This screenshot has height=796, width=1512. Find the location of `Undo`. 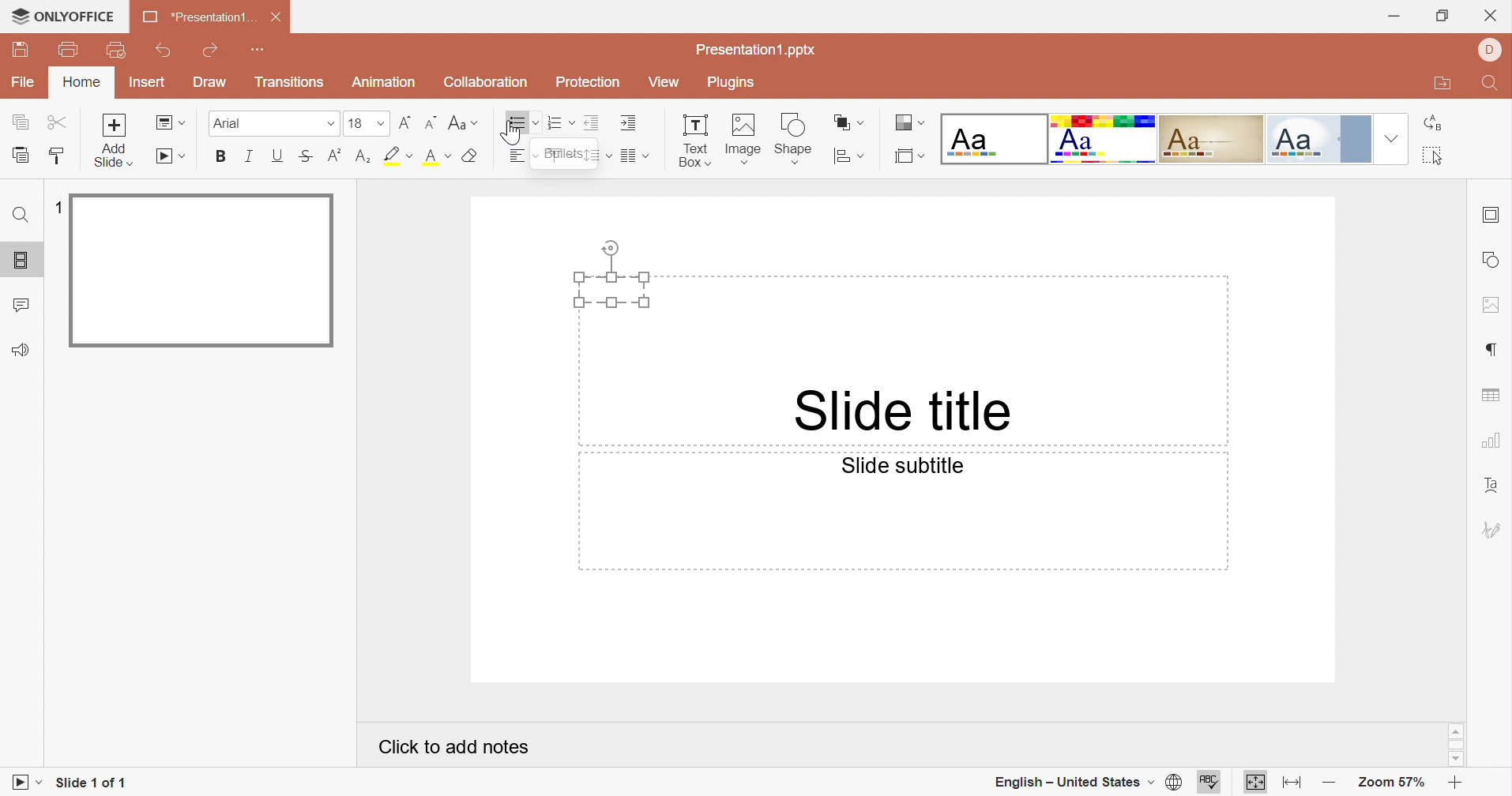

Undo is located at coordinates (164, 52).